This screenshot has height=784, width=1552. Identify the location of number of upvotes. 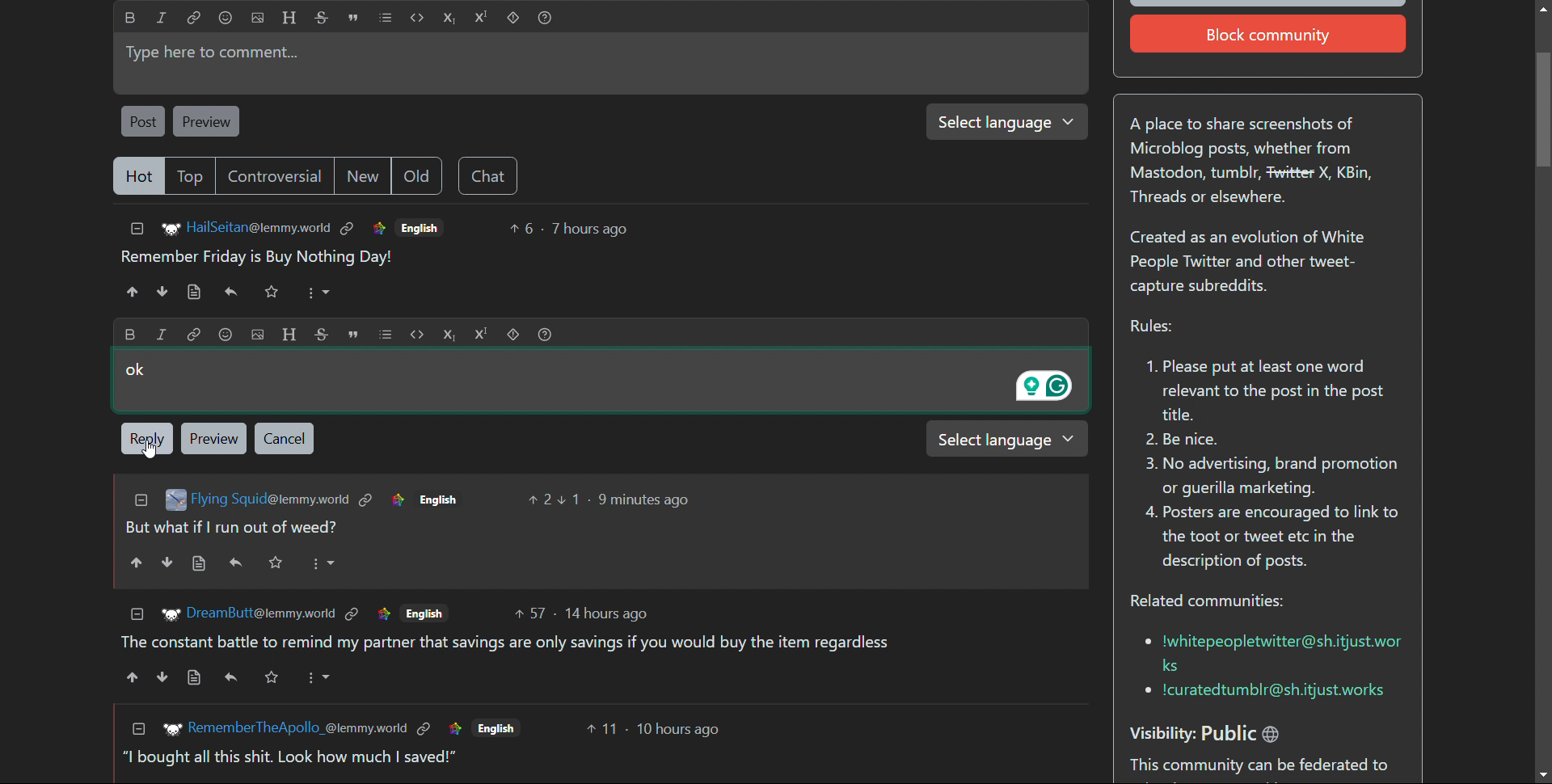
(523, 229).